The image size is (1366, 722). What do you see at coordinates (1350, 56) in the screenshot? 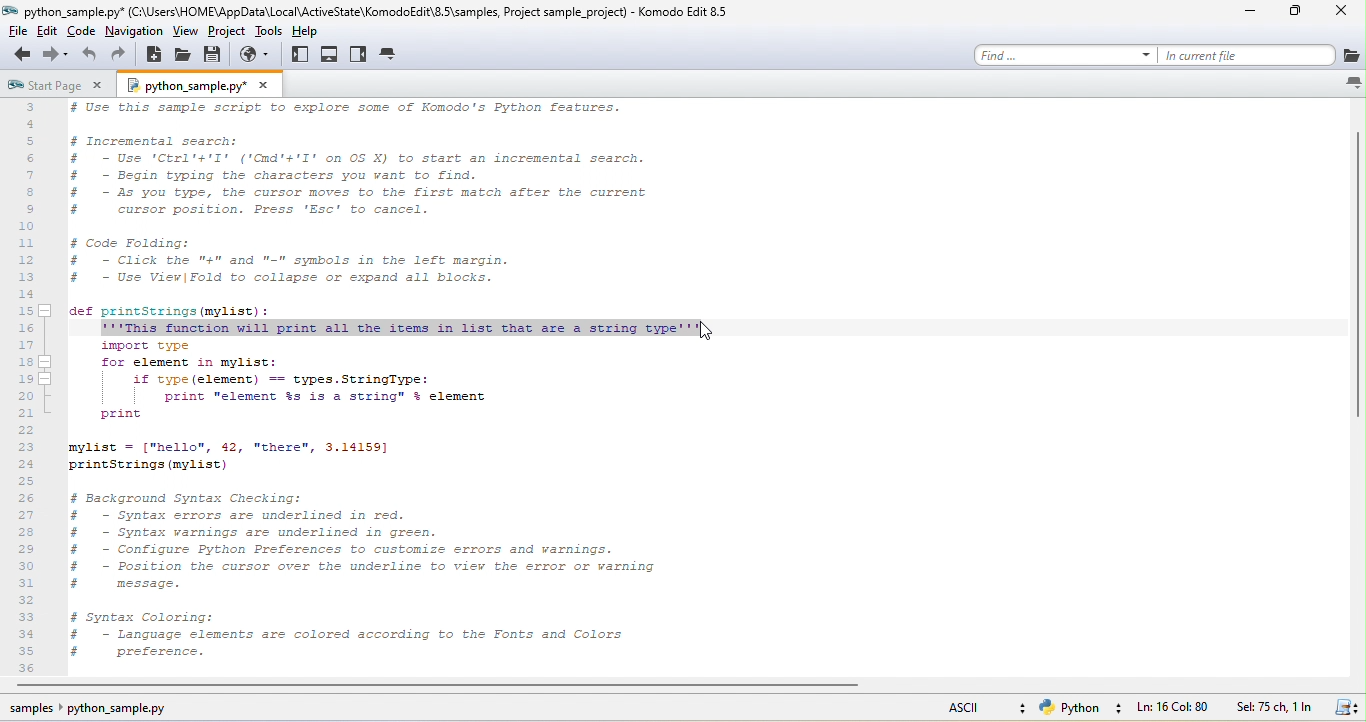
I see `icon` at bounding box center [1350, 56].